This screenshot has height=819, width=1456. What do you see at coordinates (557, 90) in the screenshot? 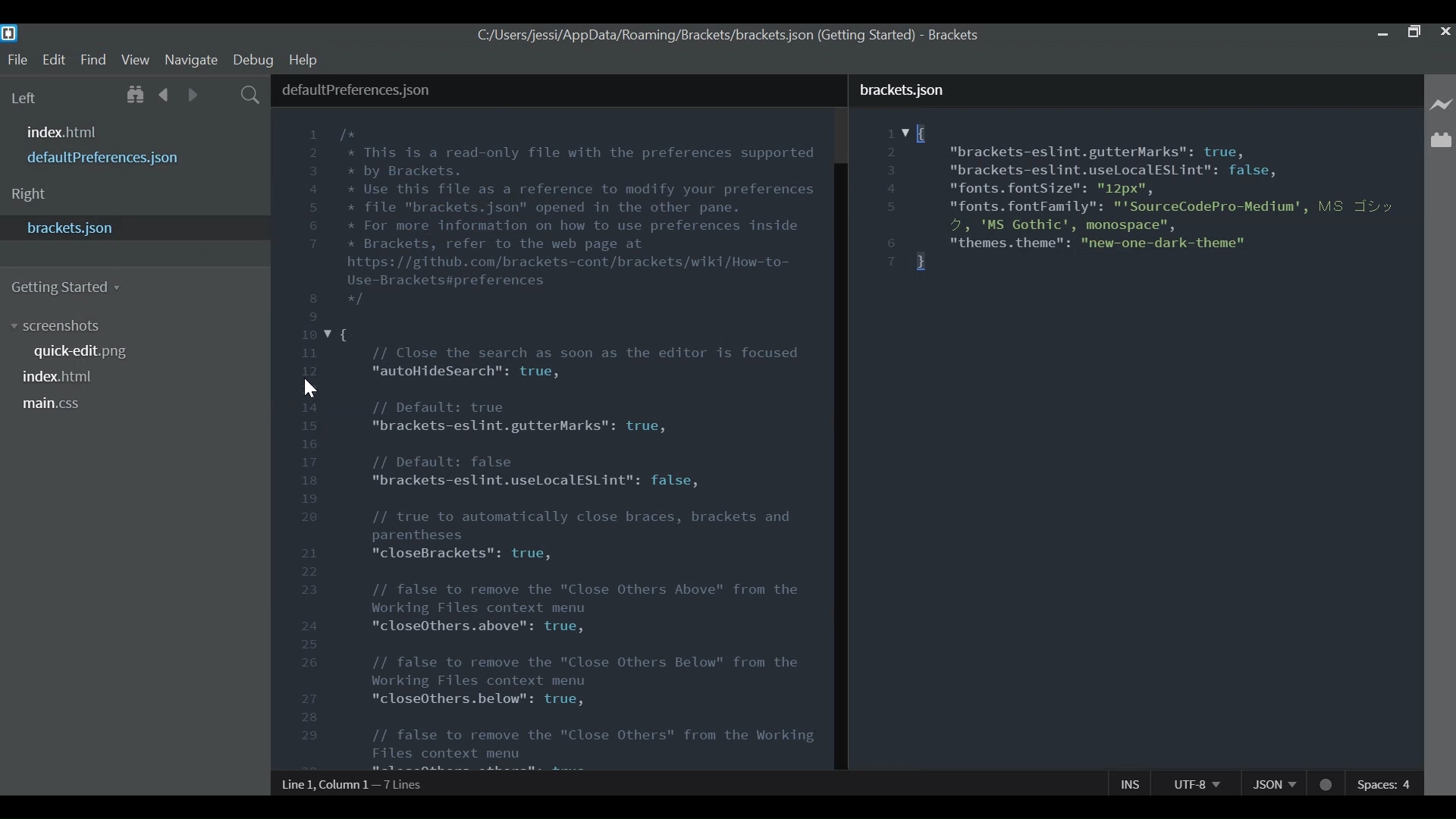
I see `defaultPreferences.json  ` at bounding box center [557, 90].